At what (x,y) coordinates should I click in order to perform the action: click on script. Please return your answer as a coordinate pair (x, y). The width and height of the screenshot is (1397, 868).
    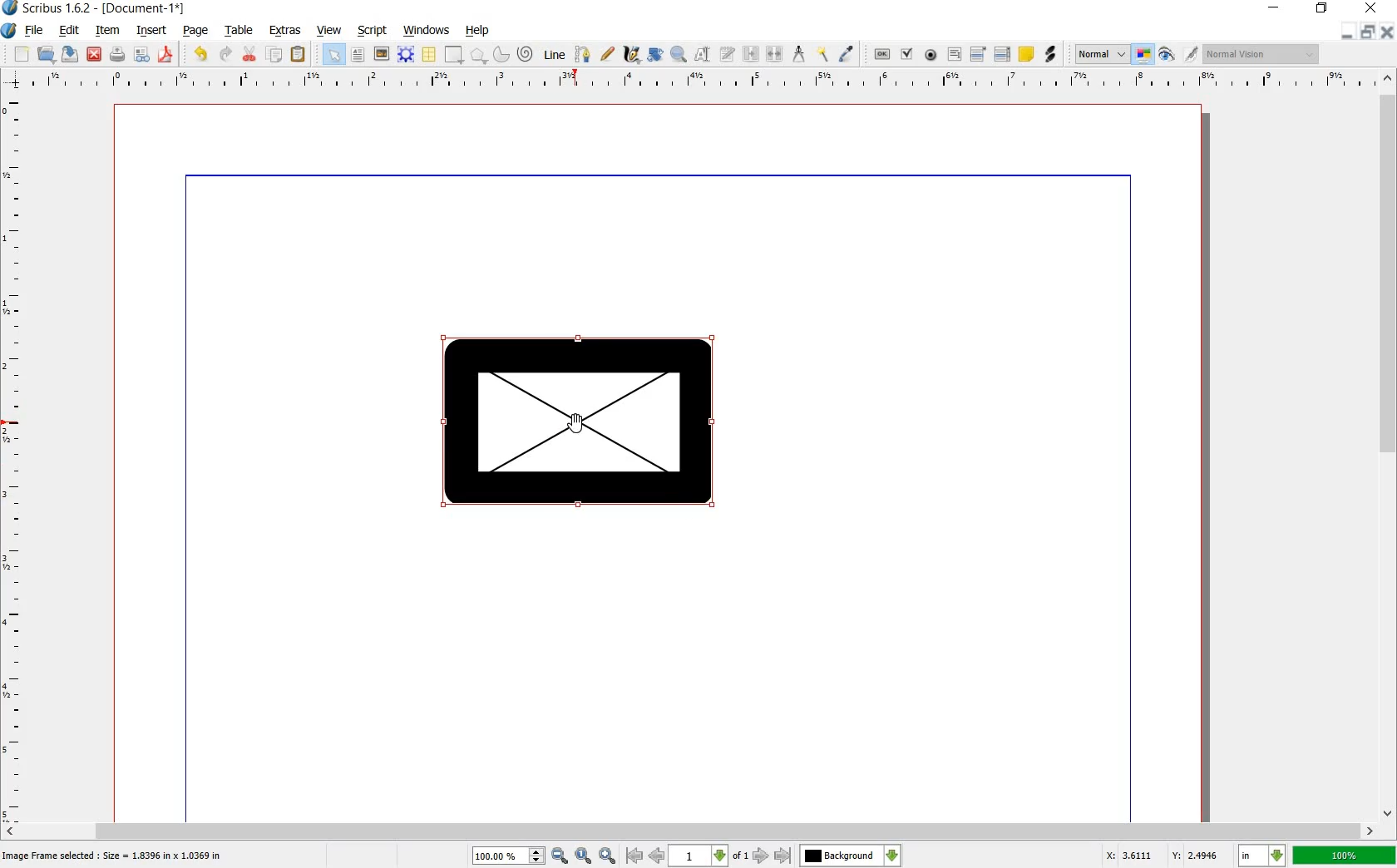
    Looking at the image, I should click on (371, 29).